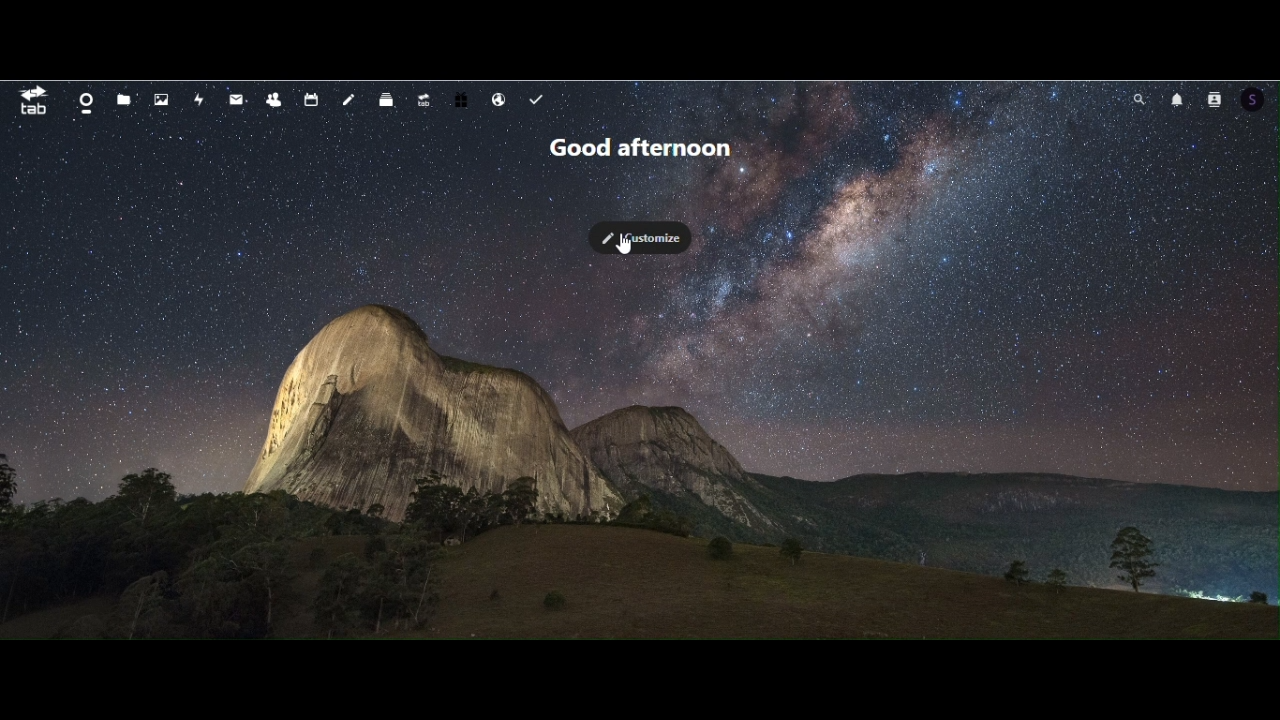 The image size is (1280, 720). What do you see at coordinates (624, 248) in the screenshot?
I see `mouse pointer` at bounding box center [624, 248].